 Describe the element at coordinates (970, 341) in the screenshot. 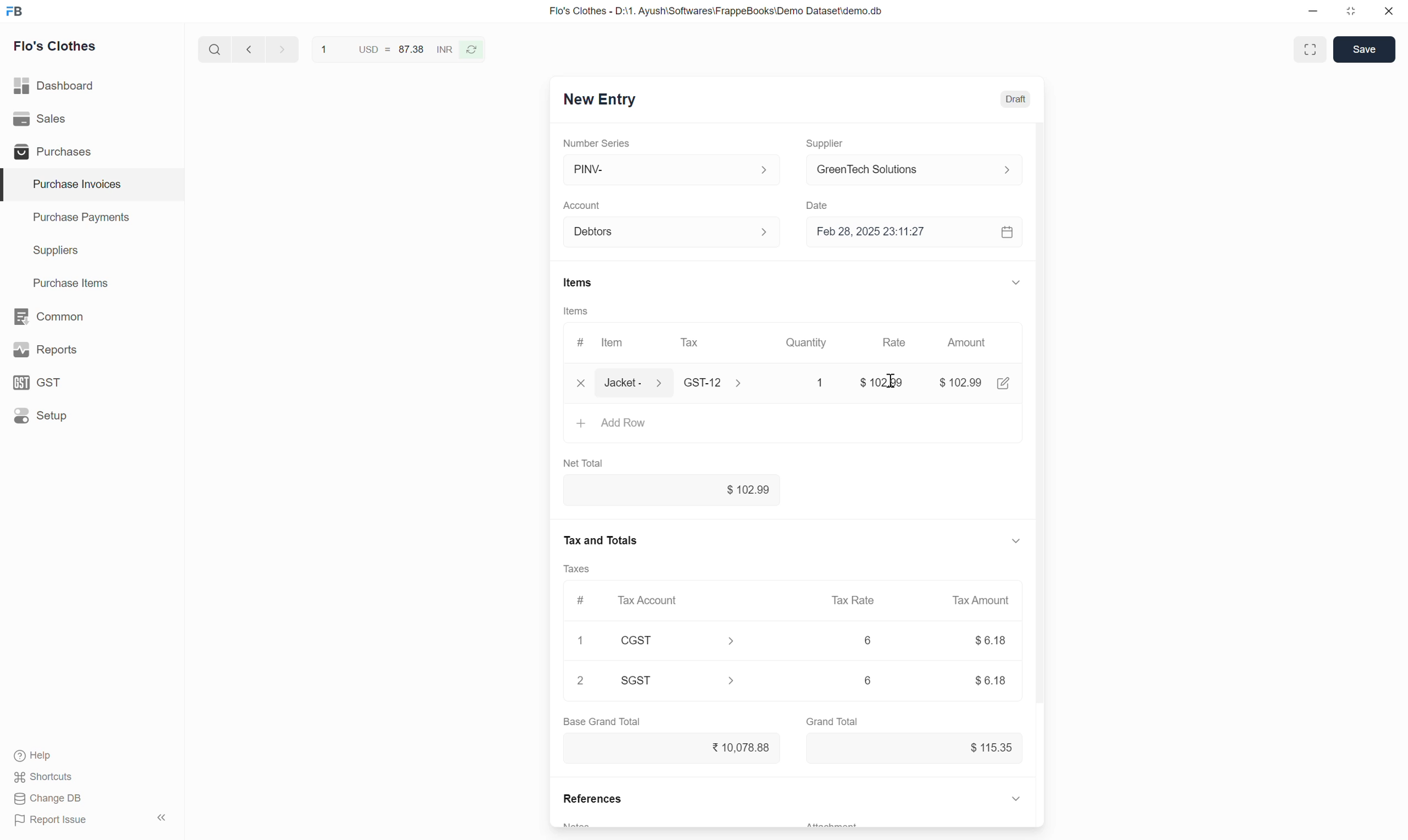

I see `Amount` at that location.